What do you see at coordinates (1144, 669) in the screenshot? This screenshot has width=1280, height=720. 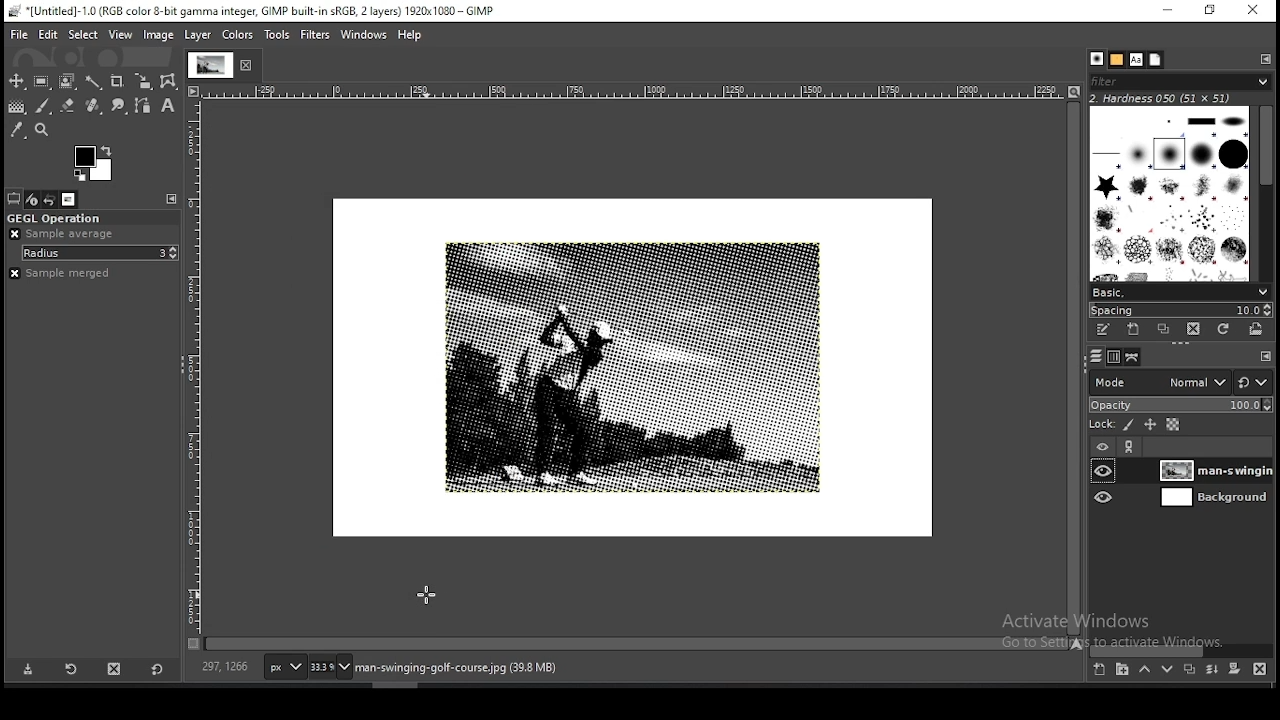 I see `move layer one step up` at bounding box center [1144, 669].